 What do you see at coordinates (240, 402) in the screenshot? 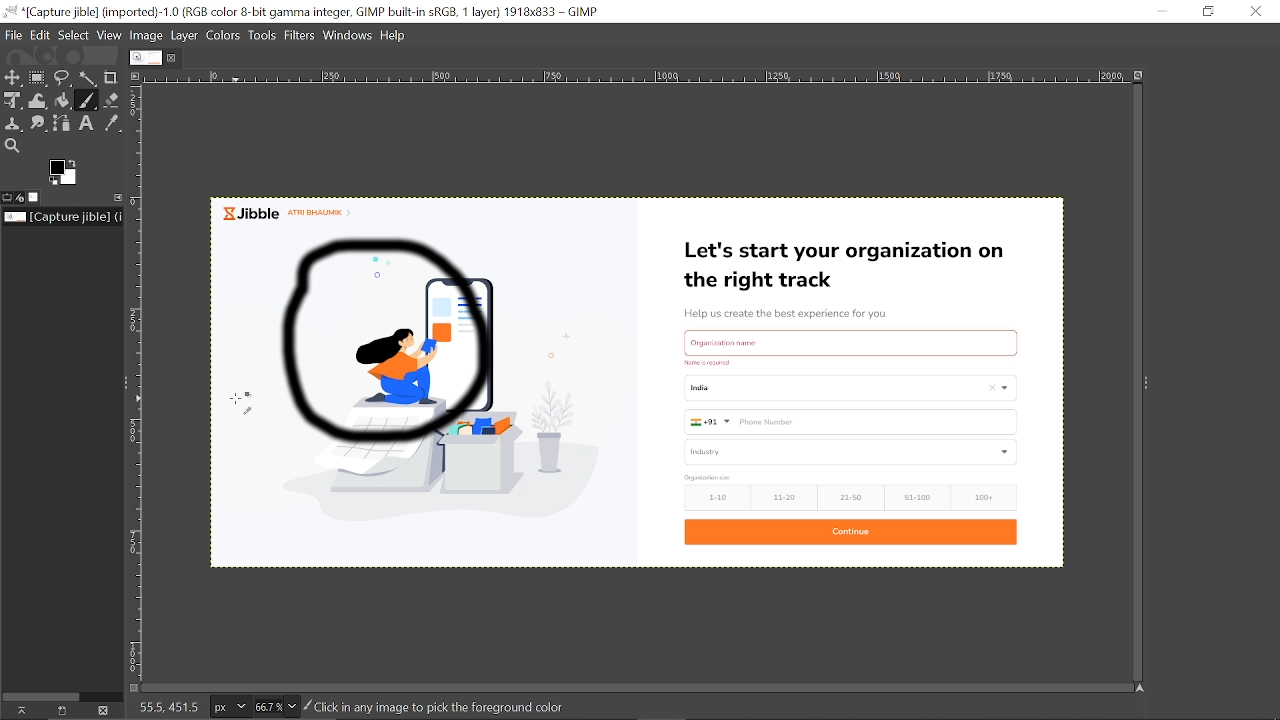
I see `Cursor` at bounding box center [240, 402].